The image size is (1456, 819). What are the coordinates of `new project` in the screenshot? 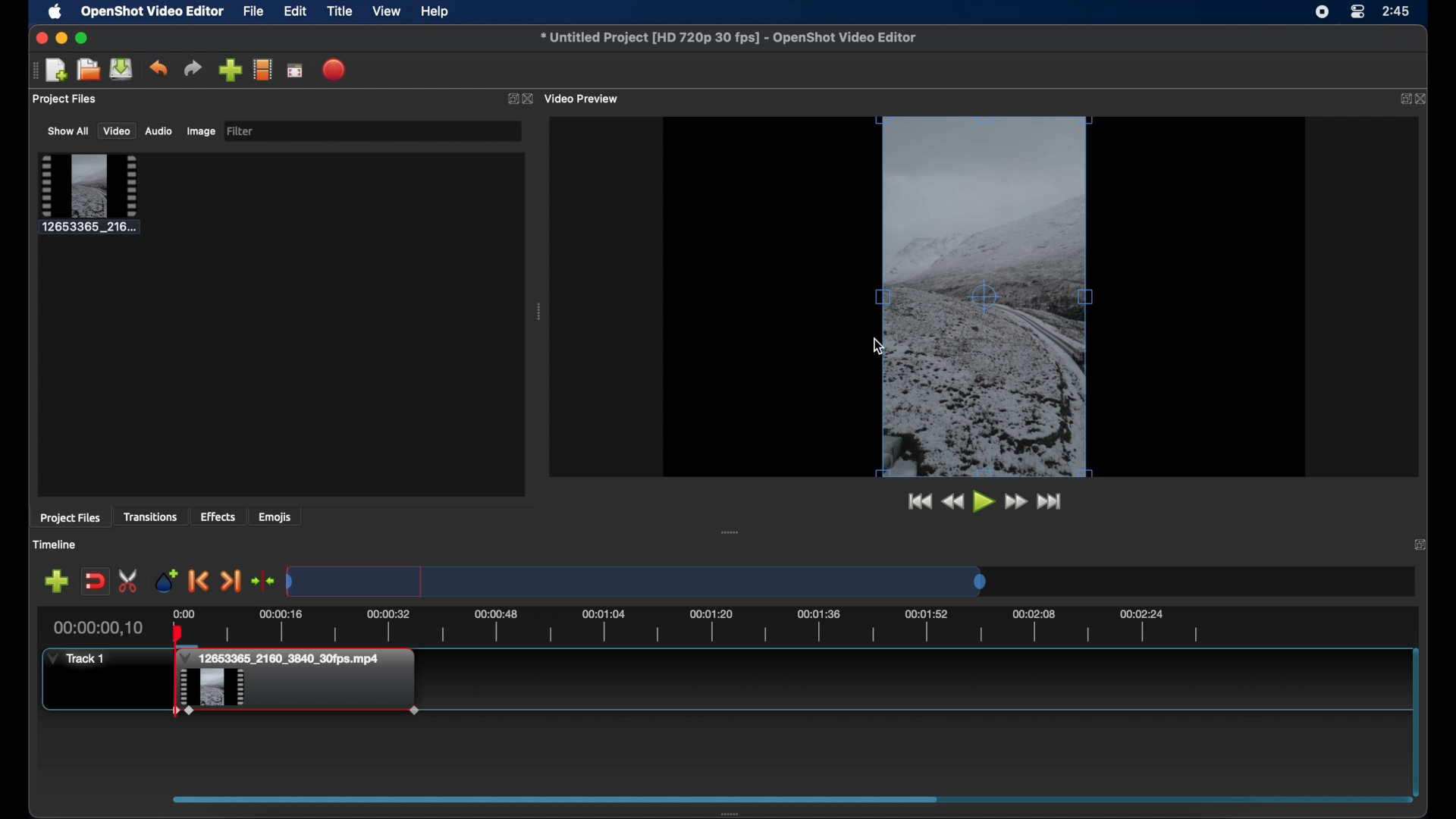 It's located at (58, 70).